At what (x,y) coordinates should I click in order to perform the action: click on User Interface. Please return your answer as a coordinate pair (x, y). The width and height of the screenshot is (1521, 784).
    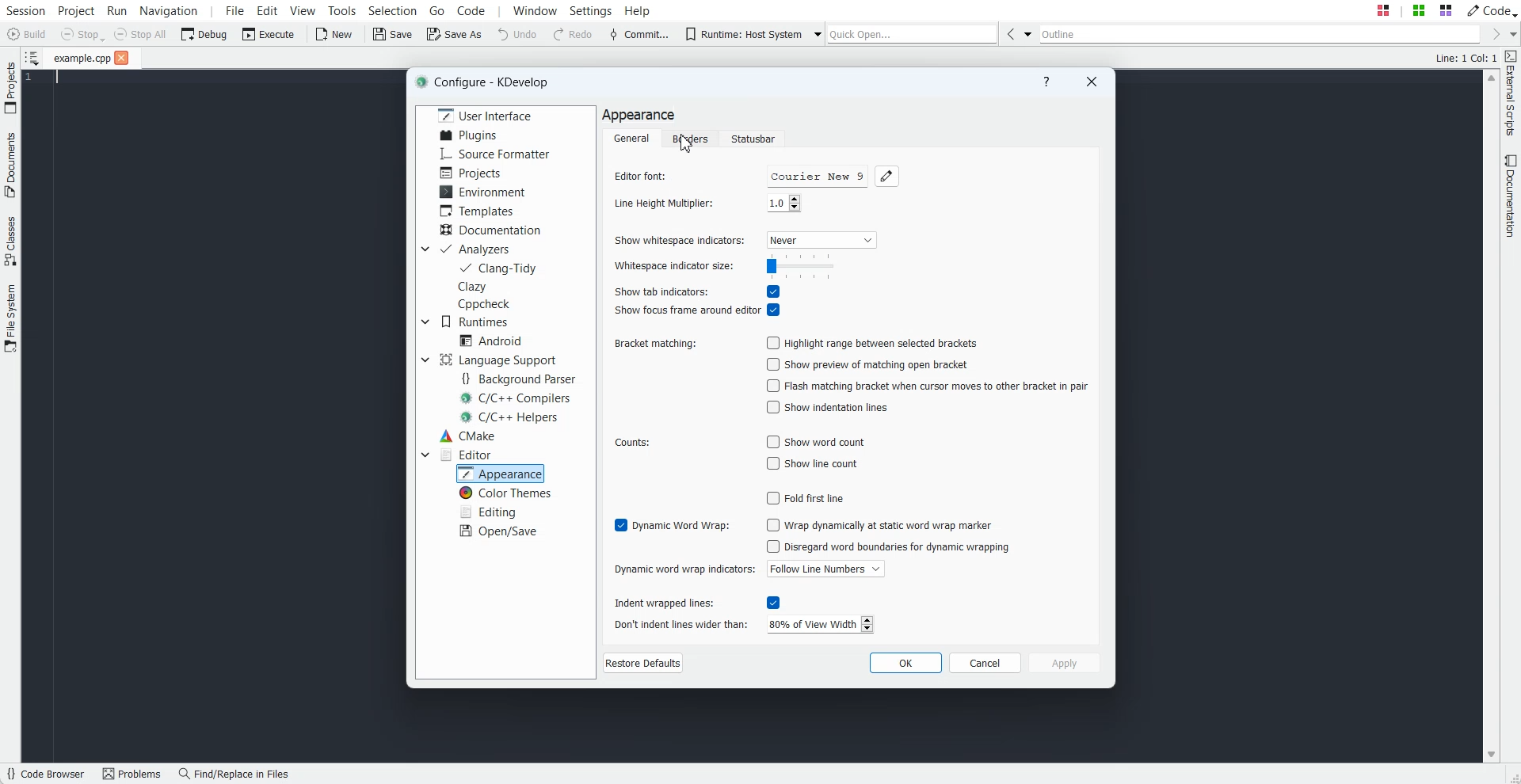
    Looking at the image, I should click on (486, 115).